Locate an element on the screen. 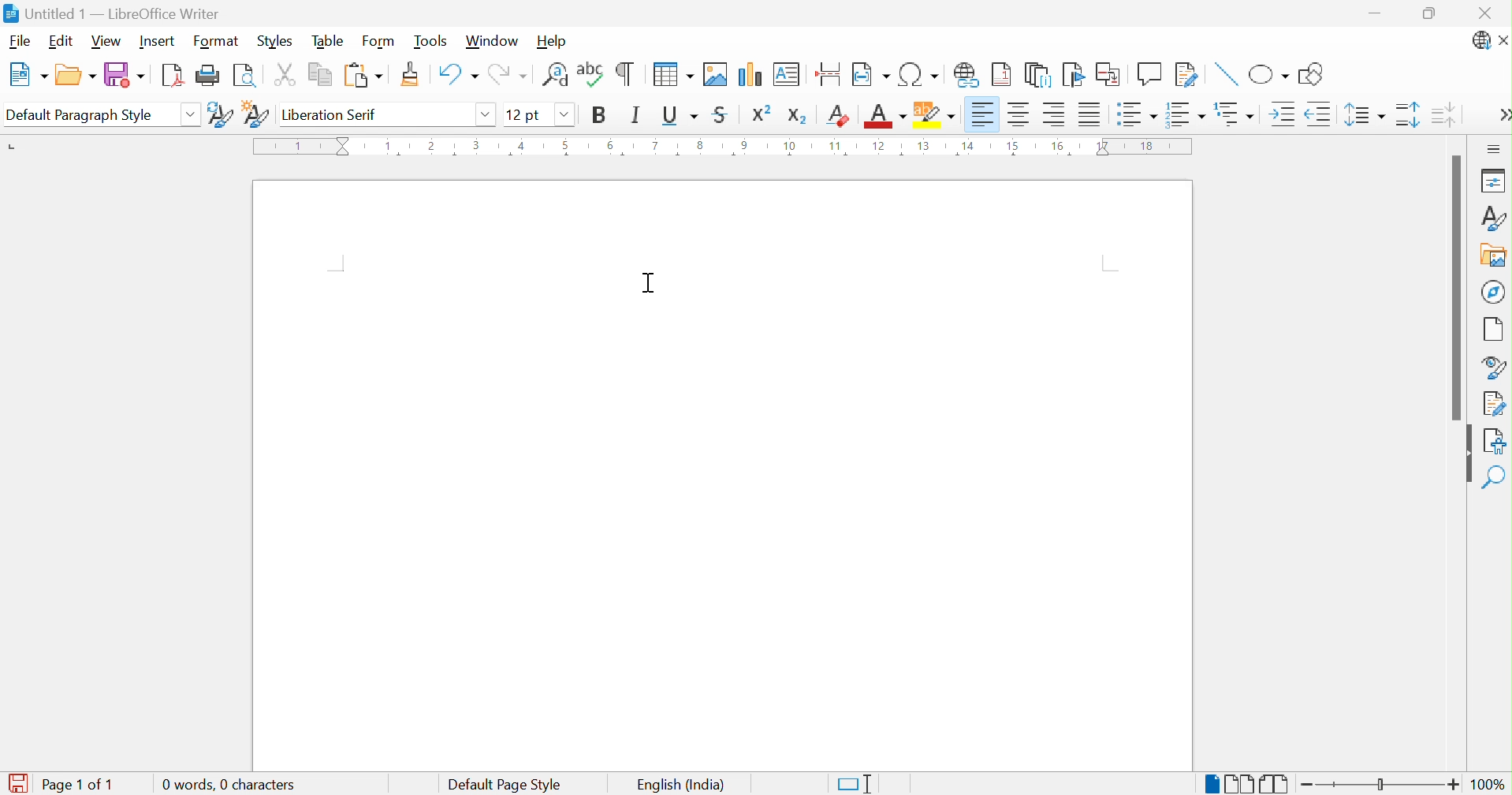 The height and width of the screenshot is (795, 1512). Copy is located at coordinates (319, 76).